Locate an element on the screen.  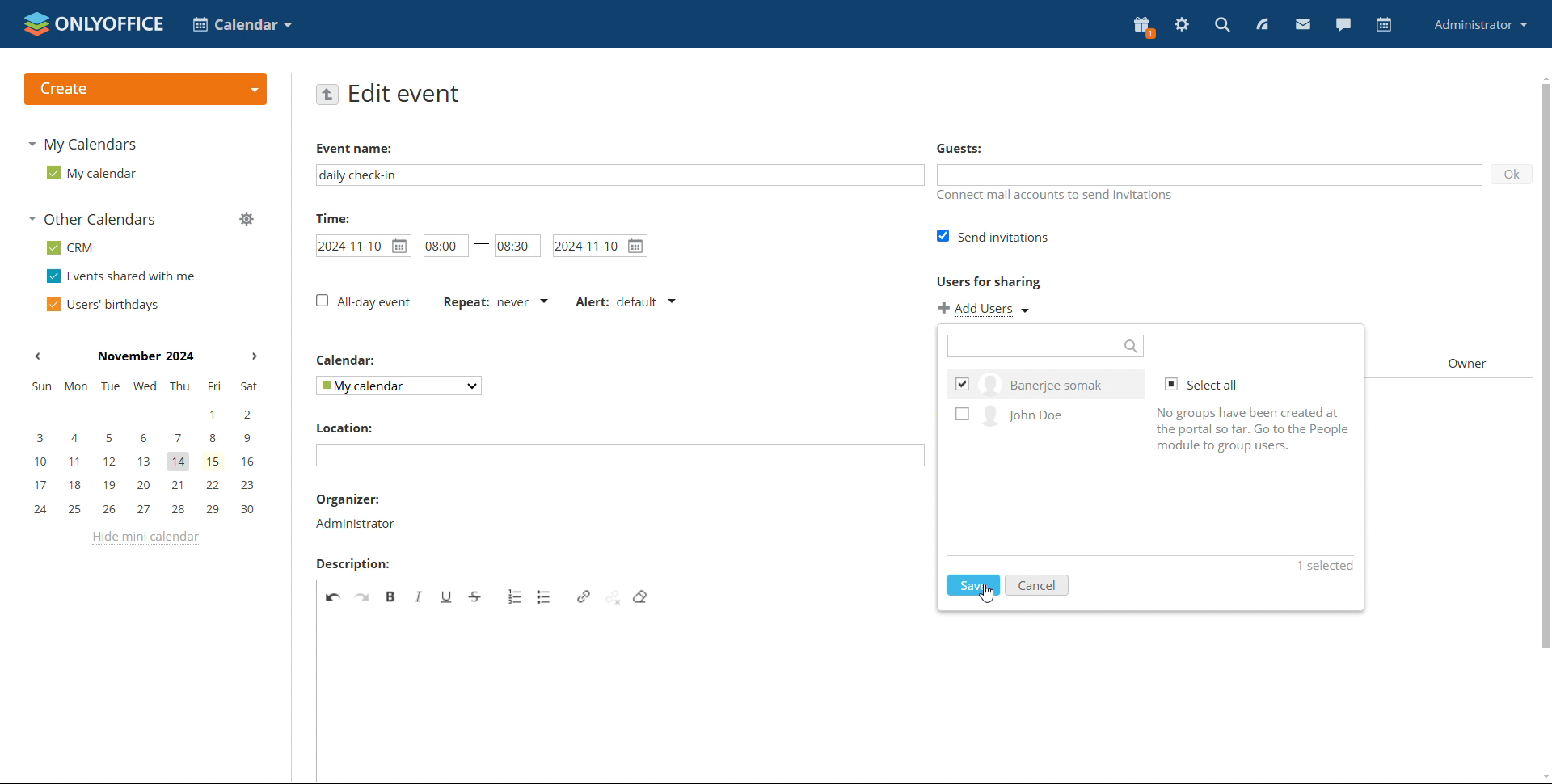
crm is located at coordinates (70, 247).